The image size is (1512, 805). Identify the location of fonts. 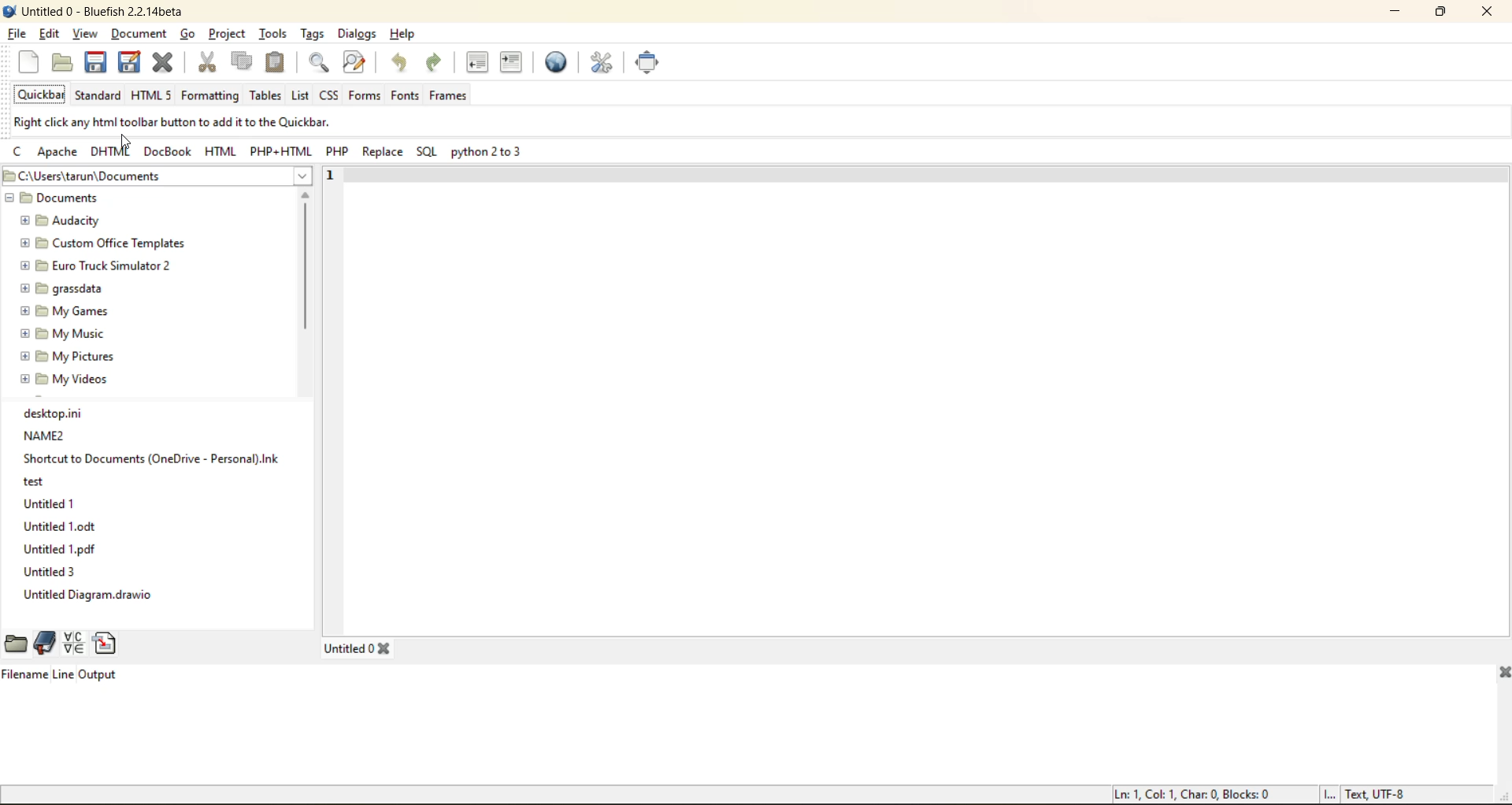
(405, 95).